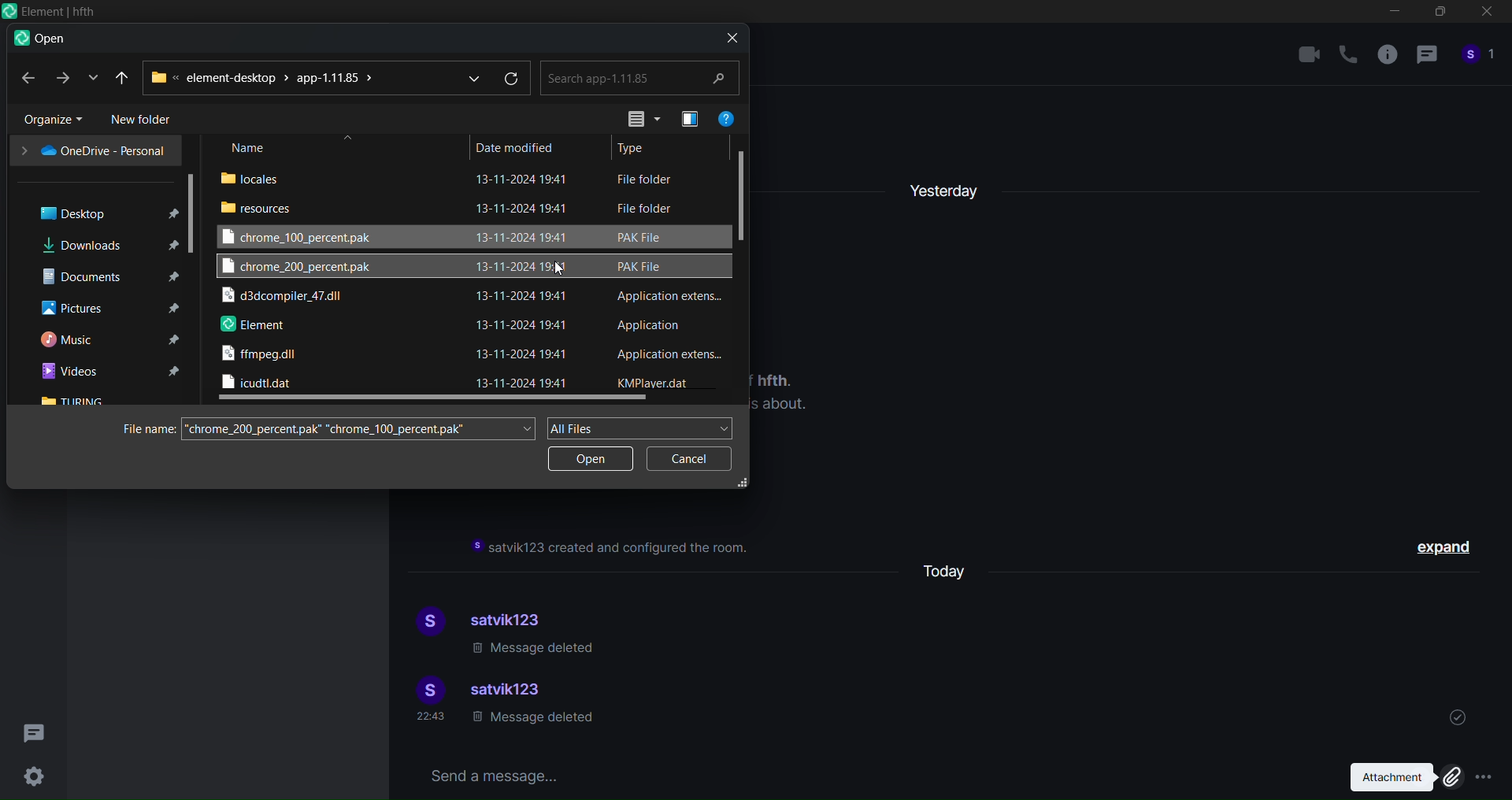 The height and width of the screenshot is (800, 1512). I want to click on date, so click(526, 280).